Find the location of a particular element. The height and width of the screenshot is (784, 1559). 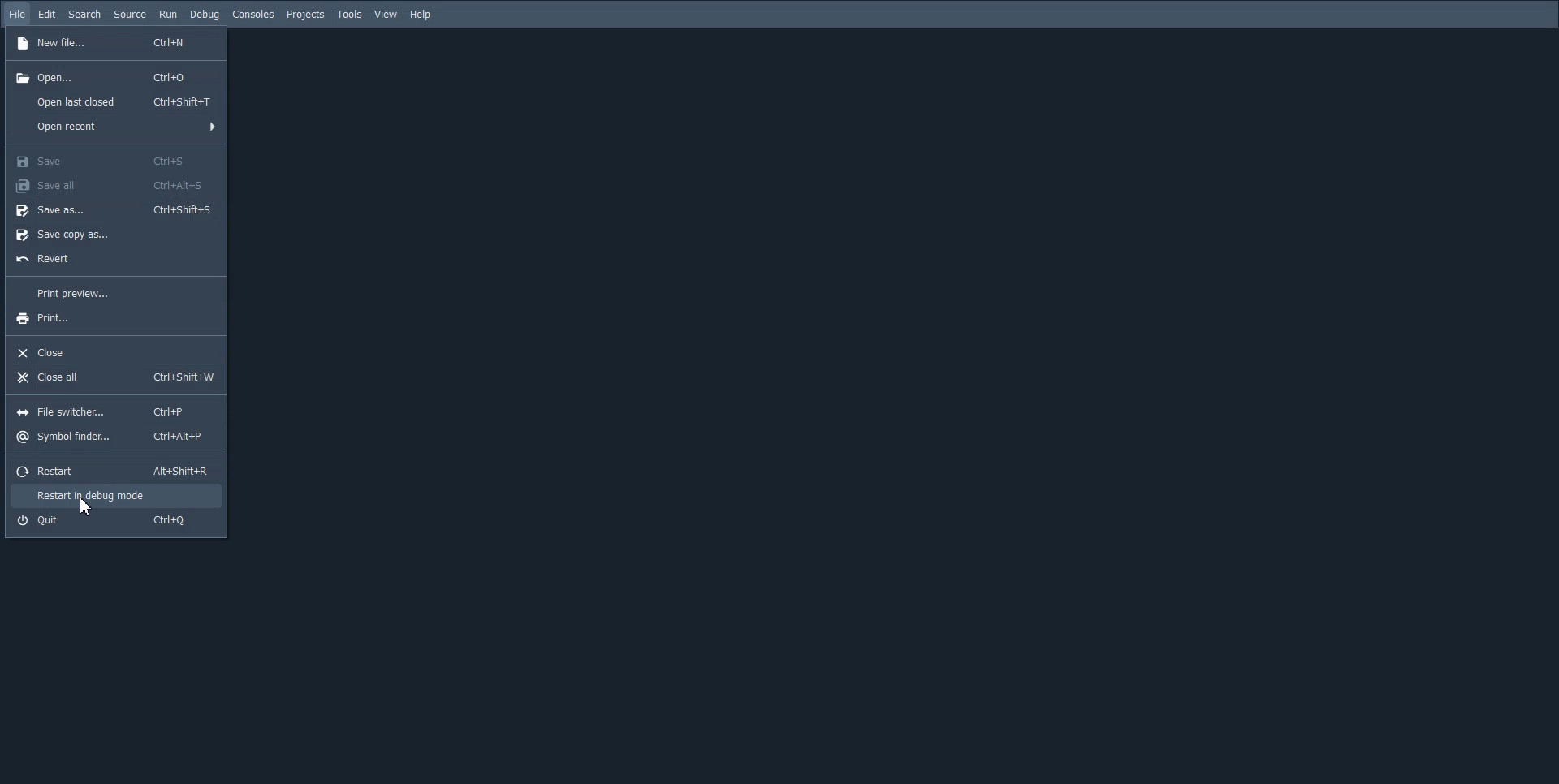

Close is located at coordinates (114, 352).